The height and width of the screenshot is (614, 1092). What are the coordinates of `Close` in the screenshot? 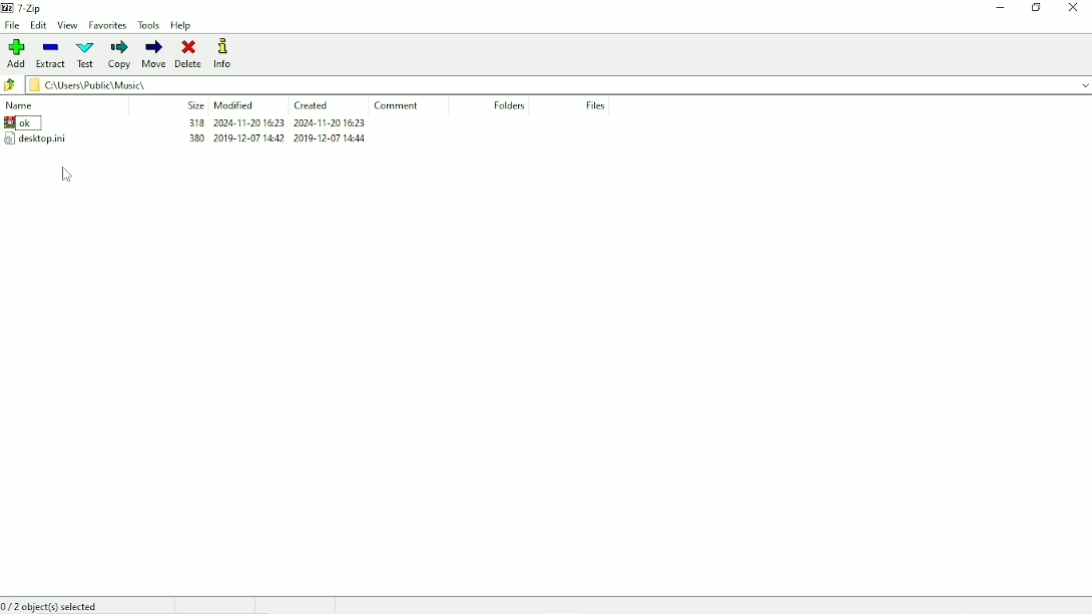 It's located at (1074, 8).